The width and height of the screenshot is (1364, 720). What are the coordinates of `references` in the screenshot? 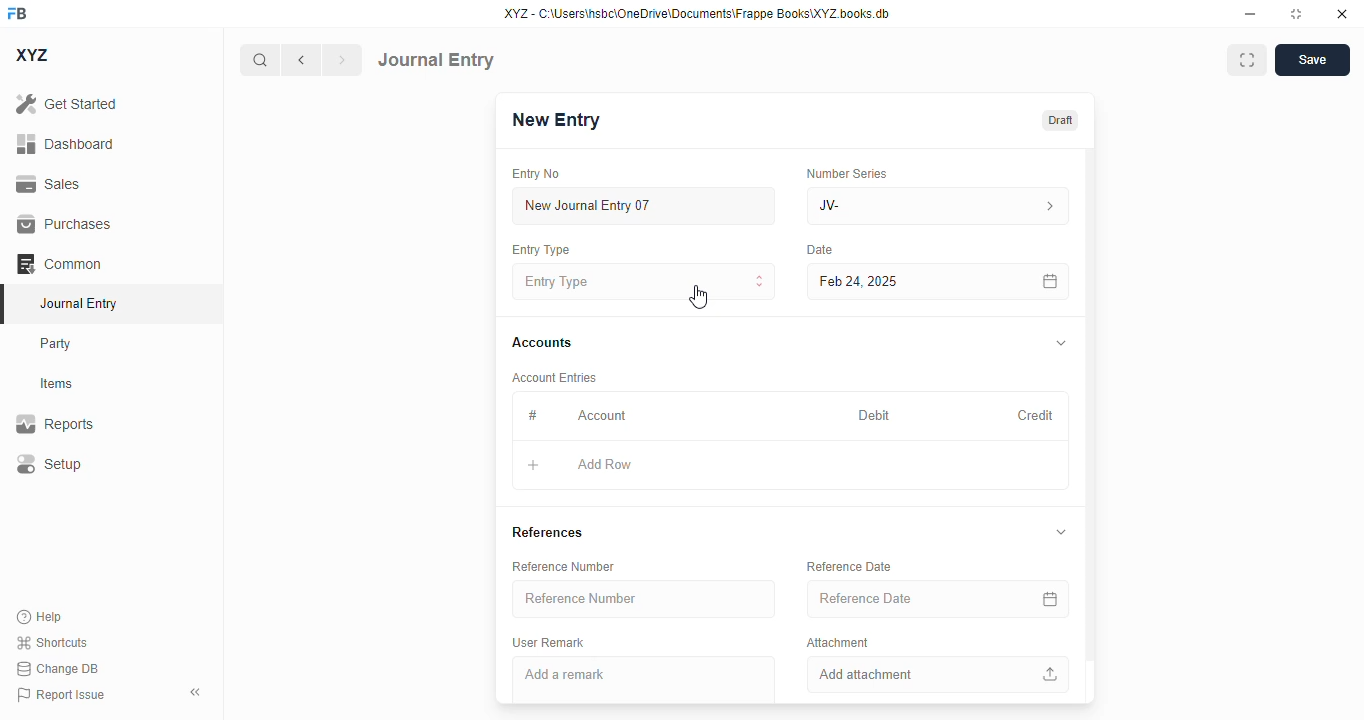 It's located at (548, 533).